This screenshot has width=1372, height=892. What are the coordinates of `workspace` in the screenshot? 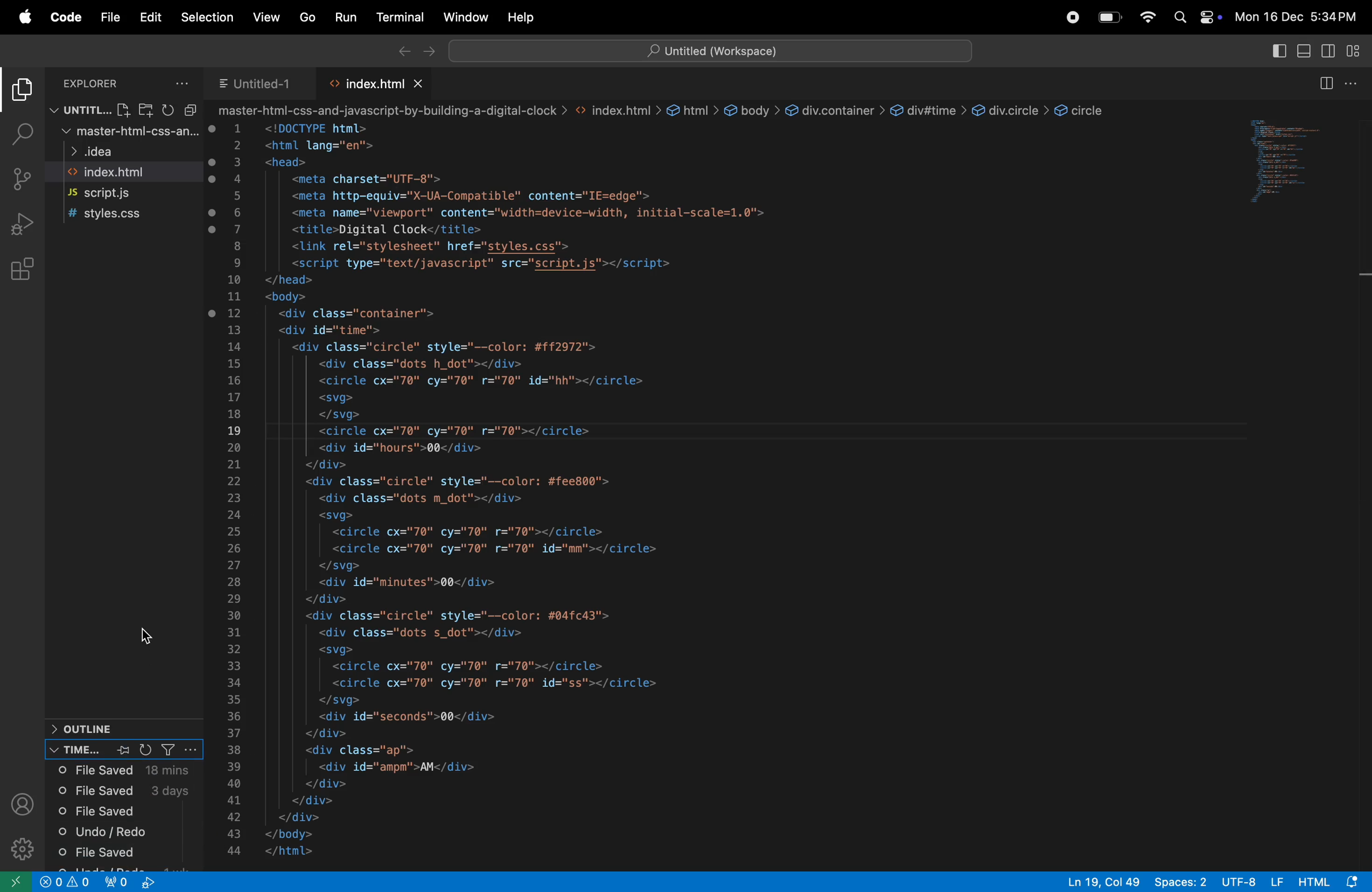 It's located at (78, 110).